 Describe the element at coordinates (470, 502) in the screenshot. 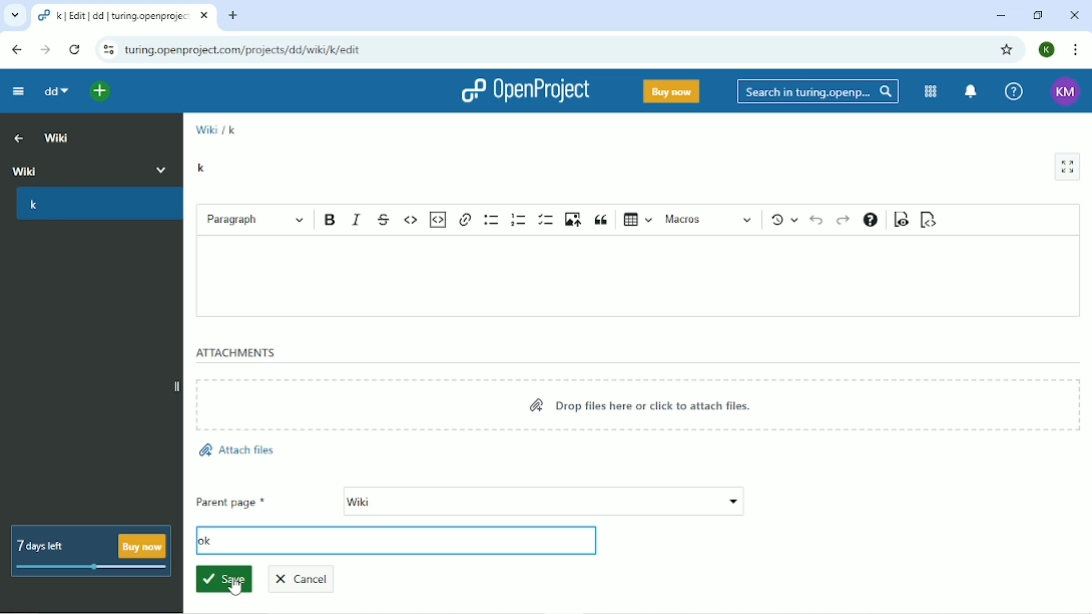

I see `Parent page` at that location.